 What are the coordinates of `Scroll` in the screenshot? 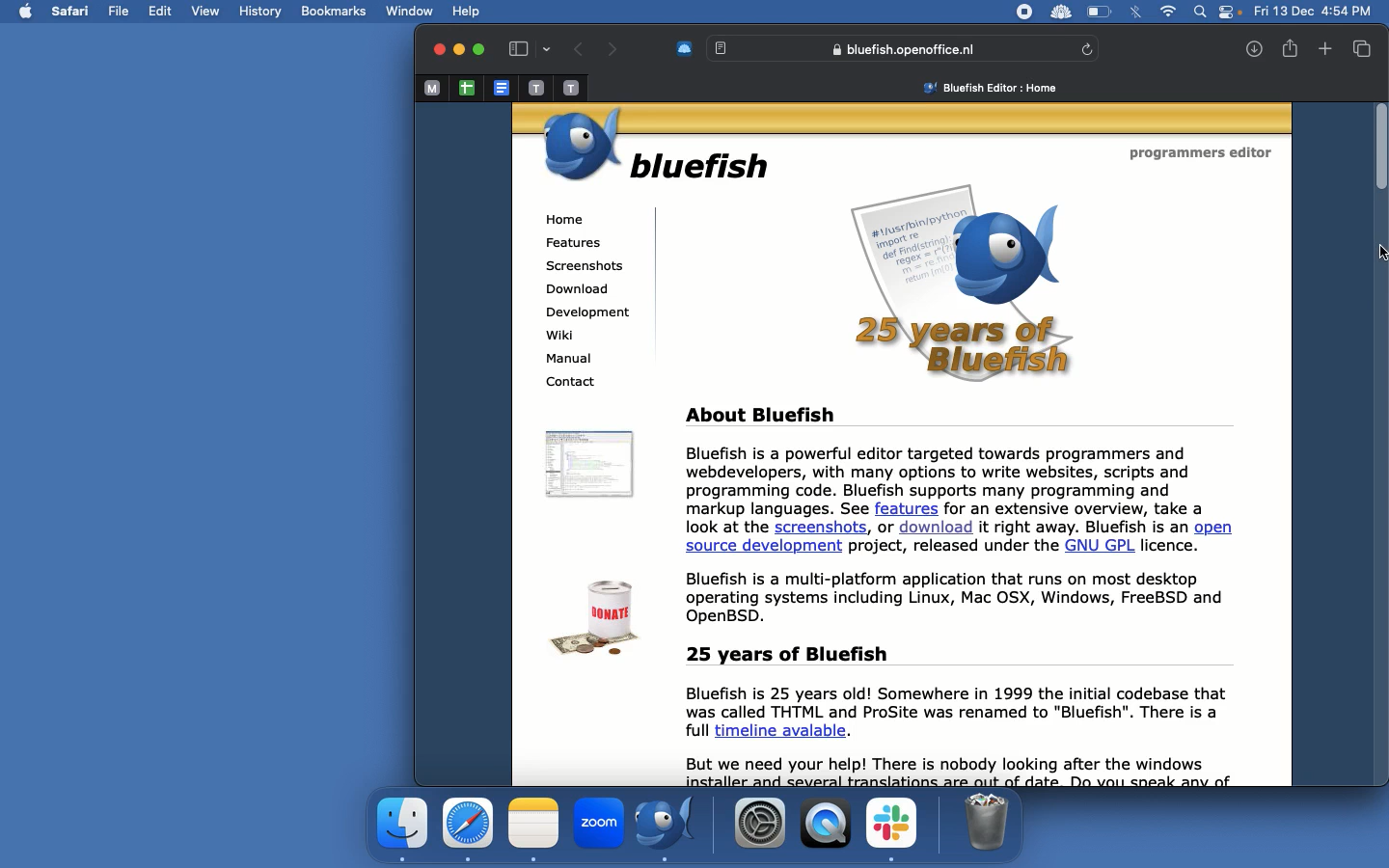 It's located at (1380, 447).